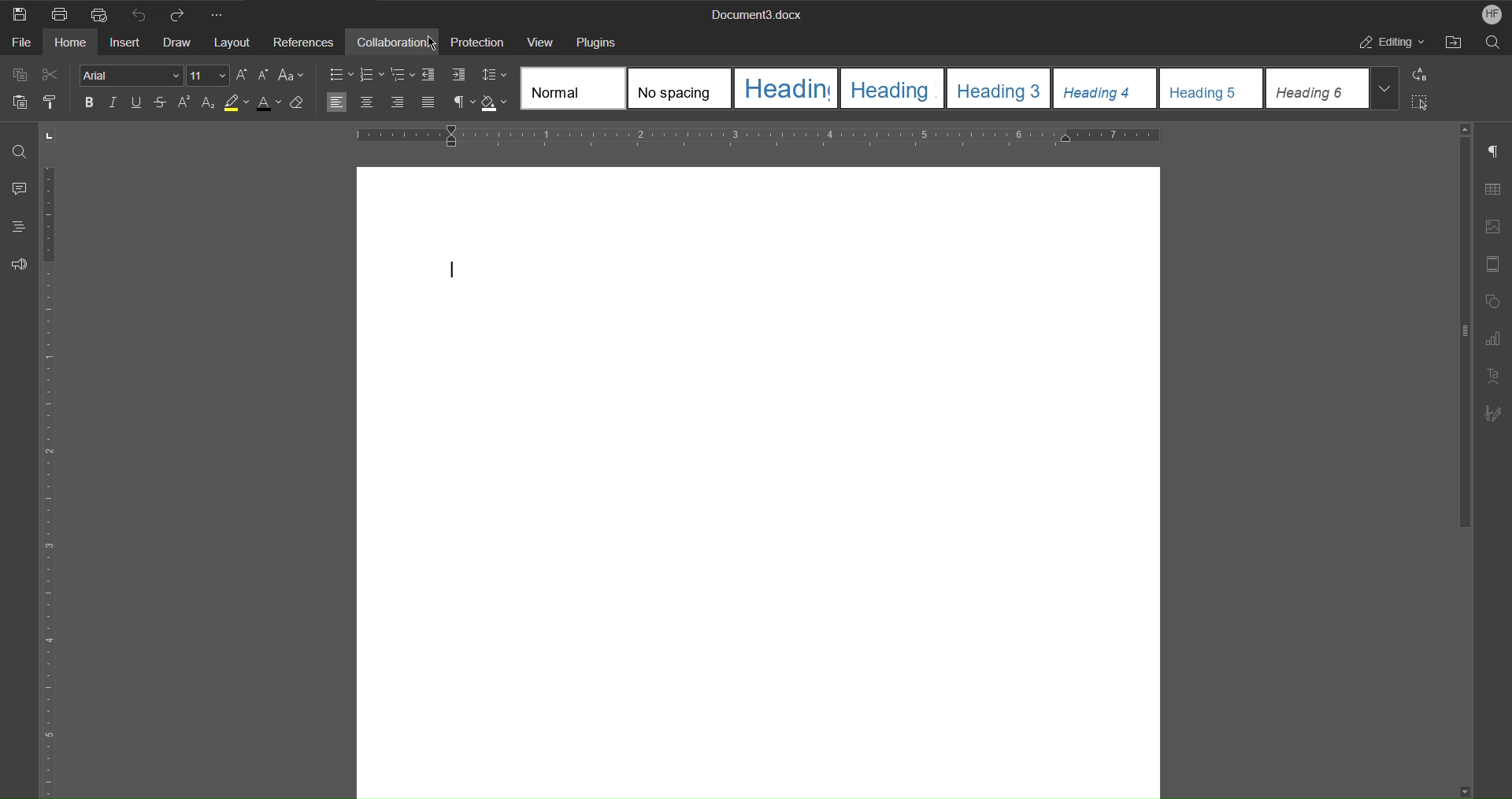 The width and height of the screenshot is (1512, 799). I want to click on Scroll bar, so click(1458, 341).